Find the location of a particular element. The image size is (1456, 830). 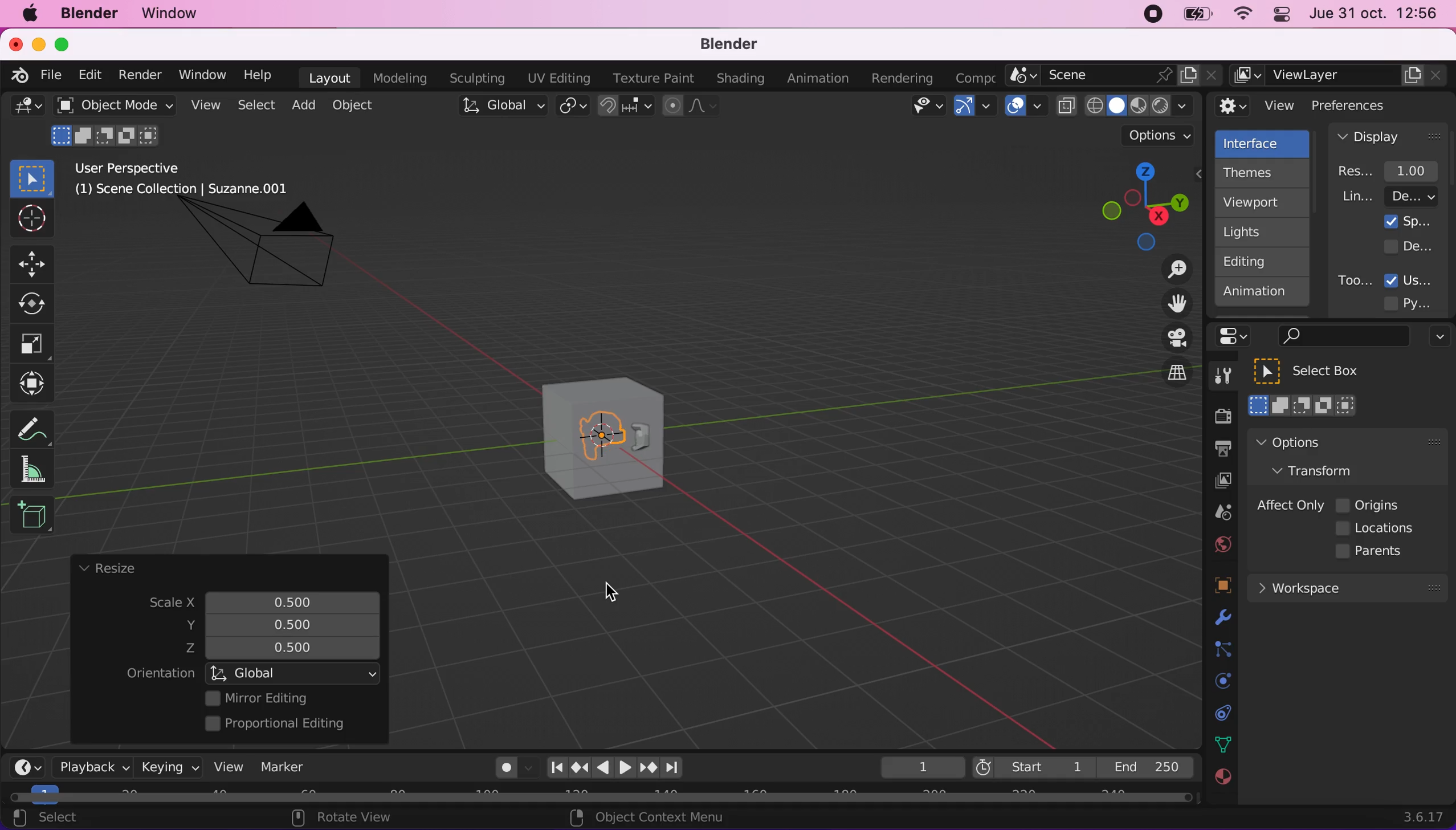

rendering is located at coordinates (903, 79).